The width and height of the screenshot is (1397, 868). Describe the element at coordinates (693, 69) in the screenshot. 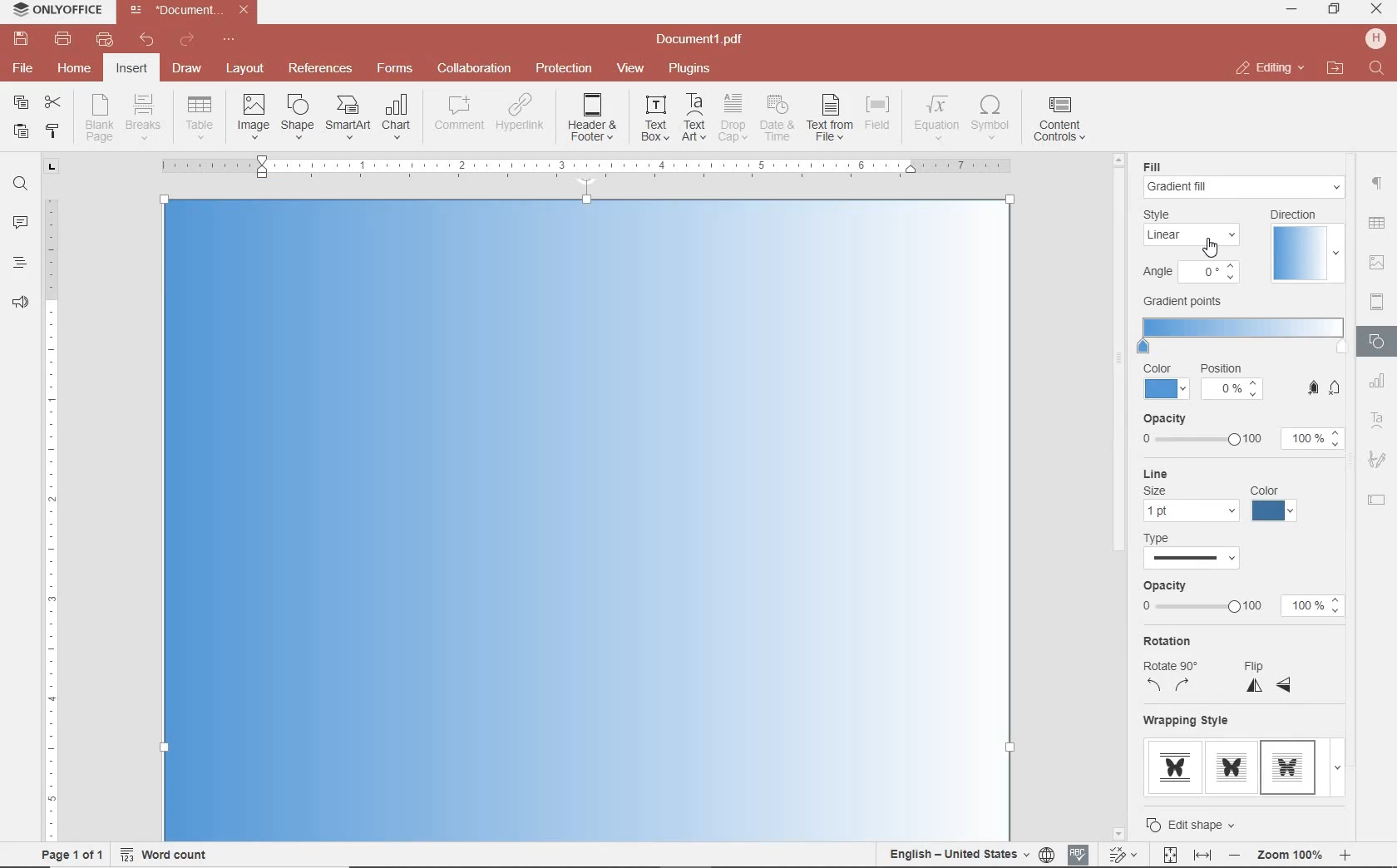

I see `plugins` at that location.